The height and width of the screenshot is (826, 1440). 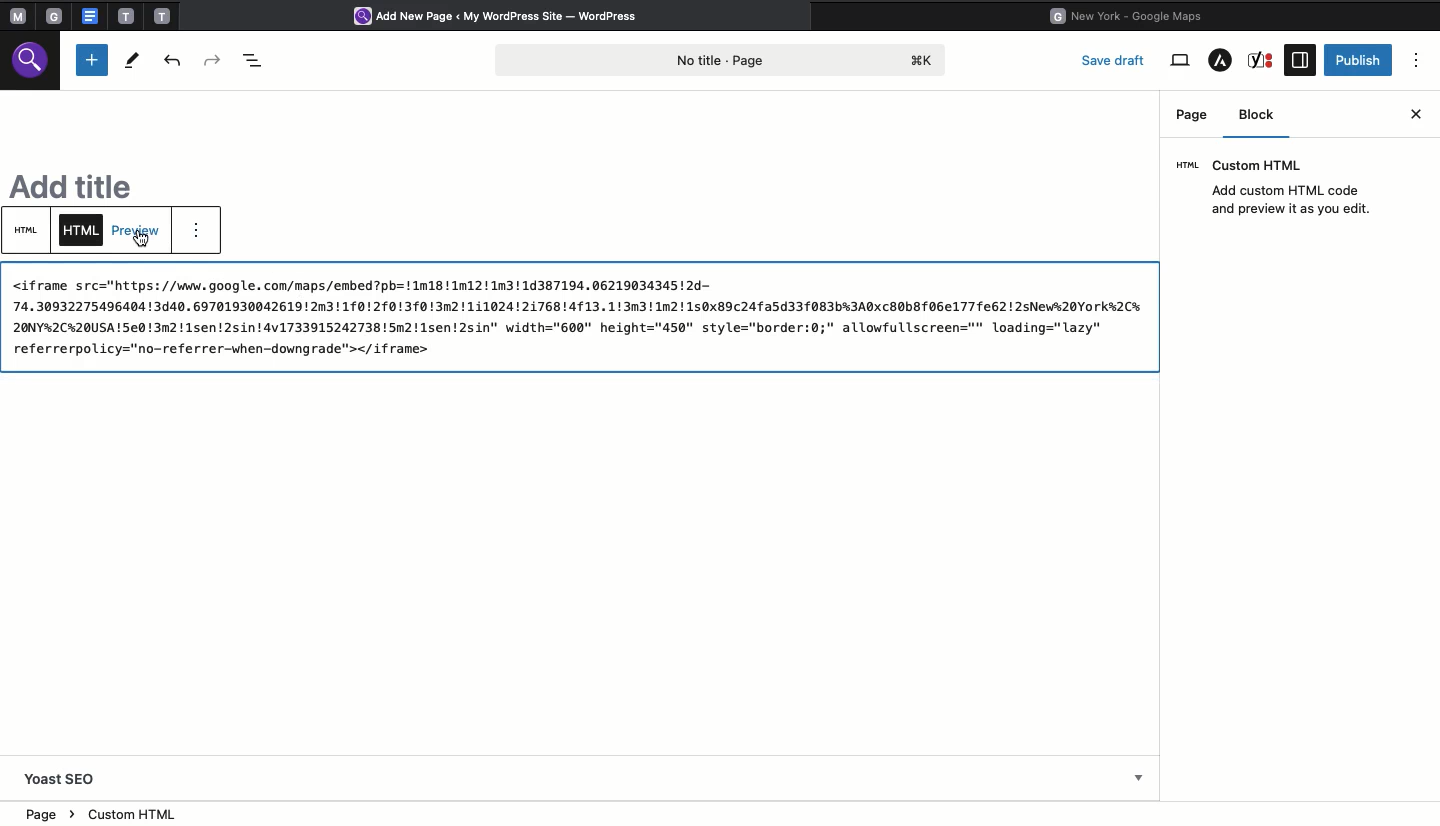 I want to click on Preview, so click(x=138, y=229).